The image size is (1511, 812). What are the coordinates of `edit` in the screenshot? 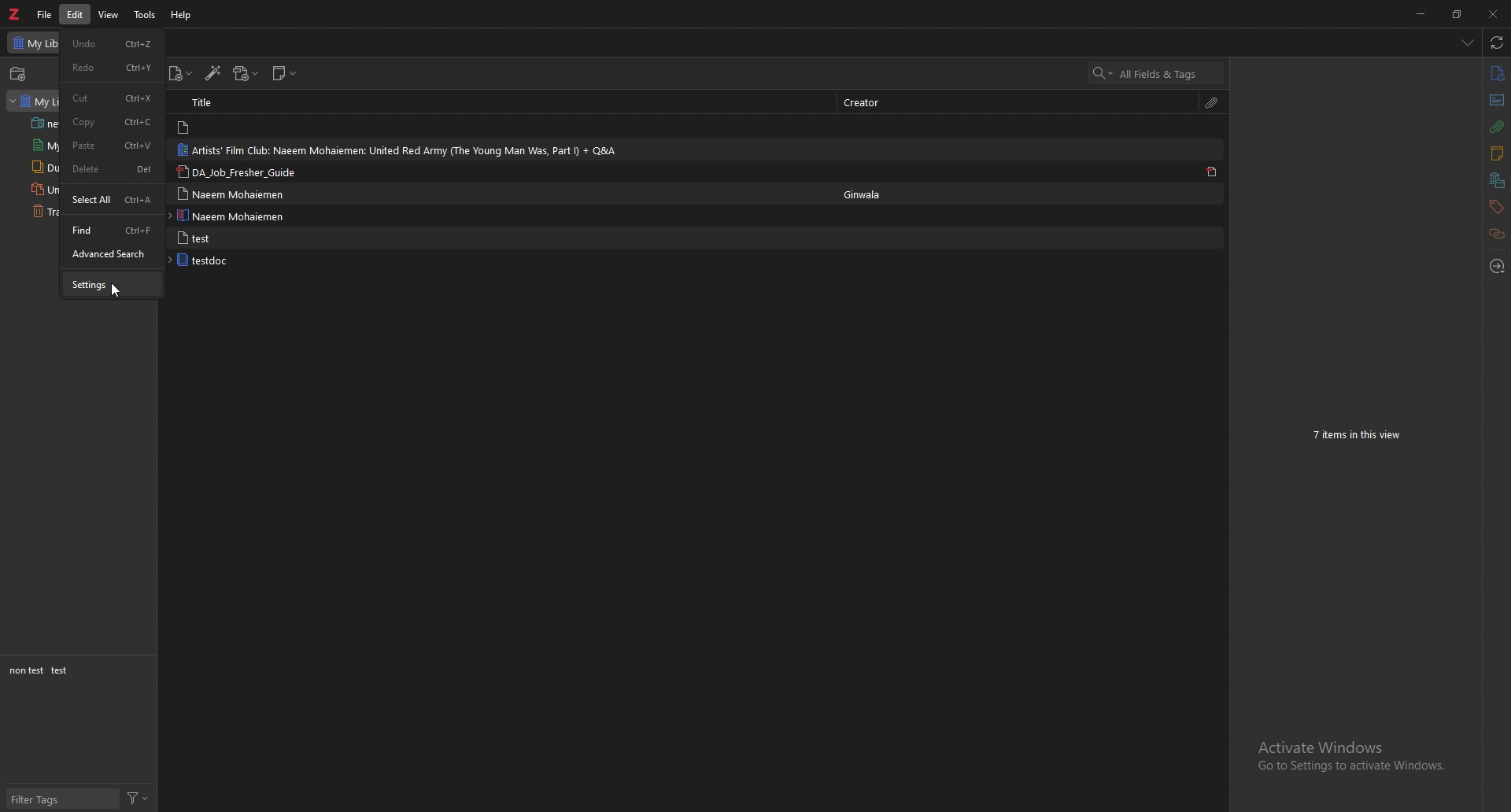 It's located at (76, 14).